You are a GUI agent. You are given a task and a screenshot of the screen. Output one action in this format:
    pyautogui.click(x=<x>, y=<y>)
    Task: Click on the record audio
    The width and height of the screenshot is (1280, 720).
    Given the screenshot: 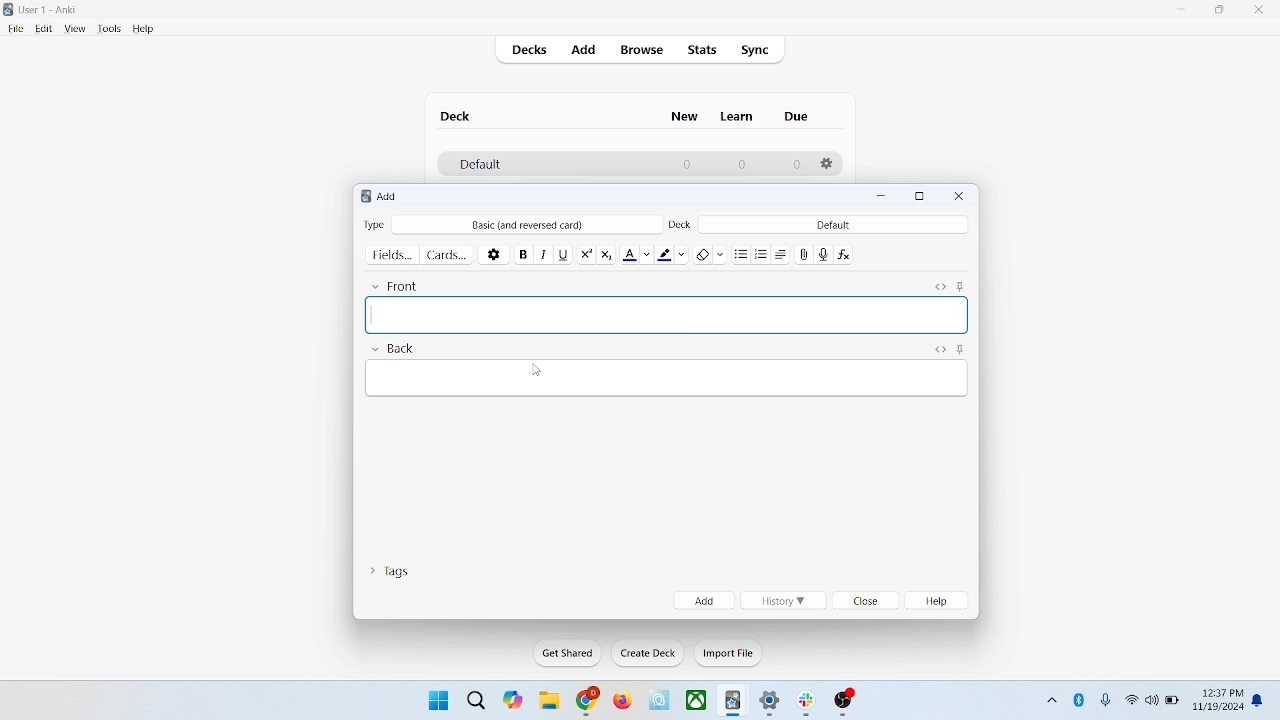 What is the action you would take?
    pyautogui.click(x=824, y=254)
    